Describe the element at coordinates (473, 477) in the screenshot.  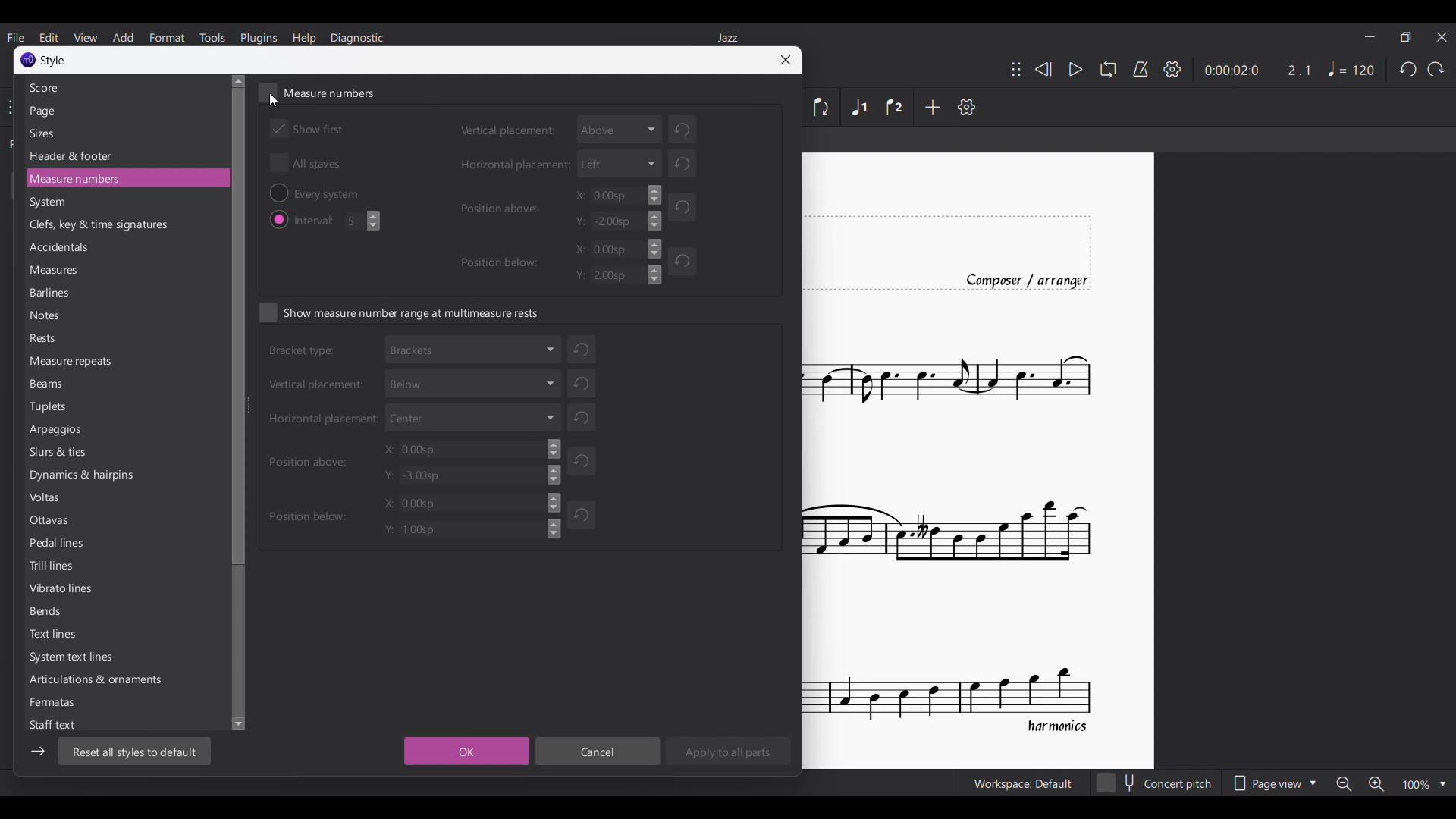
I see `y` at that location.